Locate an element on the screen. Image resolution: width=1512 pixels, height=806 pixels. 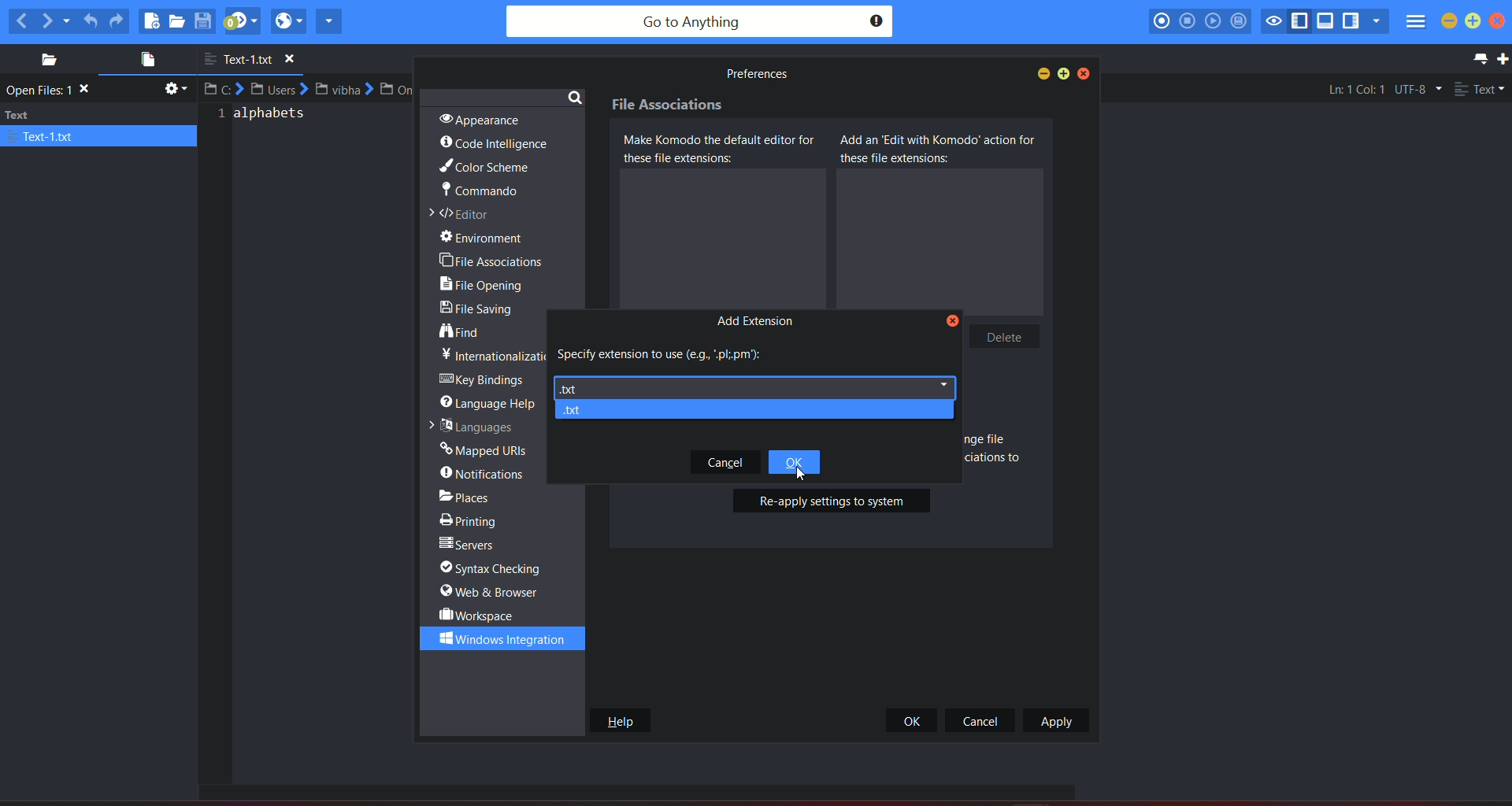
Open files is located at coordinates (52, 91).